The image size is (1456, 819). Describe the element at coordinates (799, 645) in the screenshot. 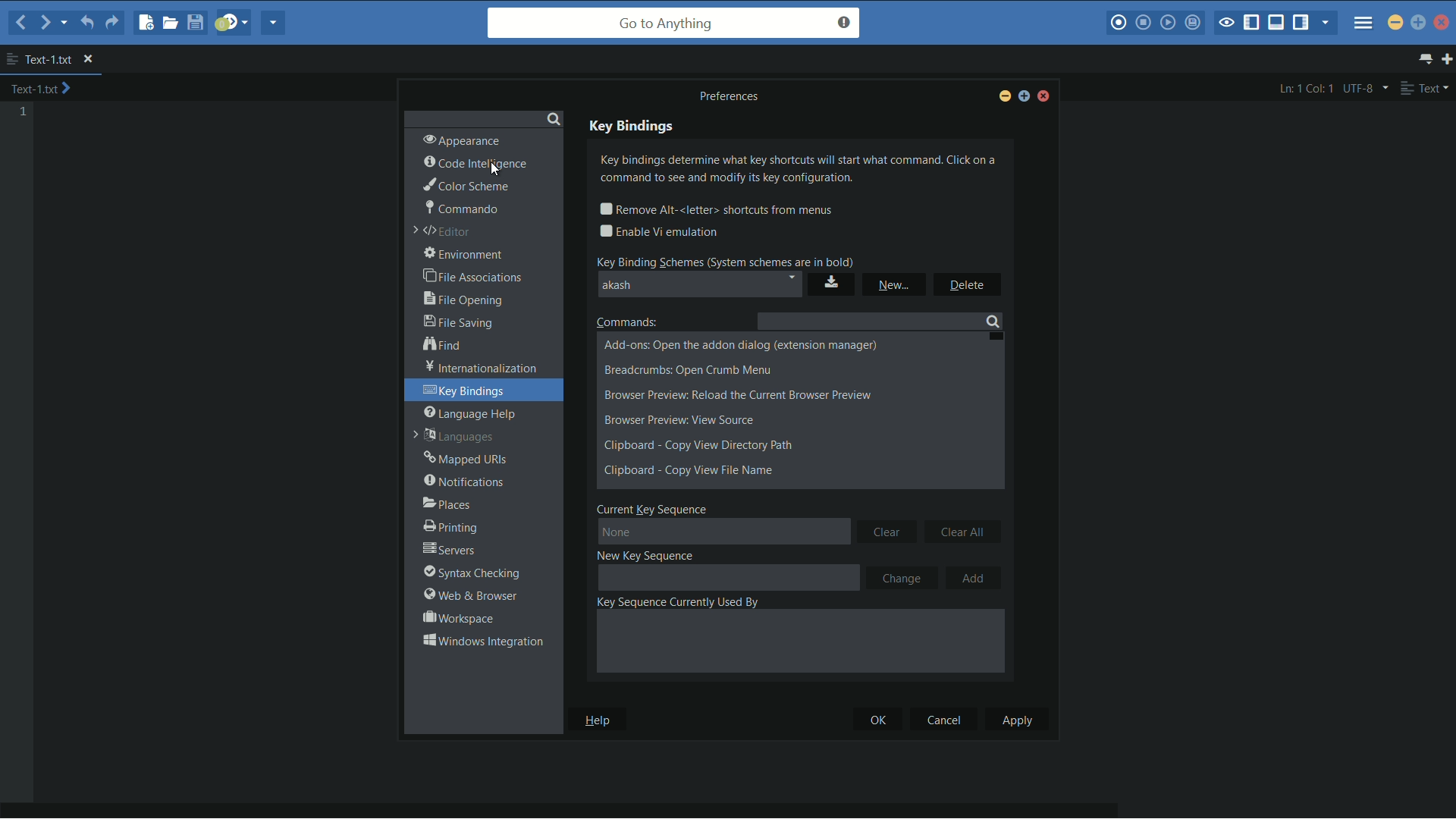

I see `key sequence currently used by` at that location.